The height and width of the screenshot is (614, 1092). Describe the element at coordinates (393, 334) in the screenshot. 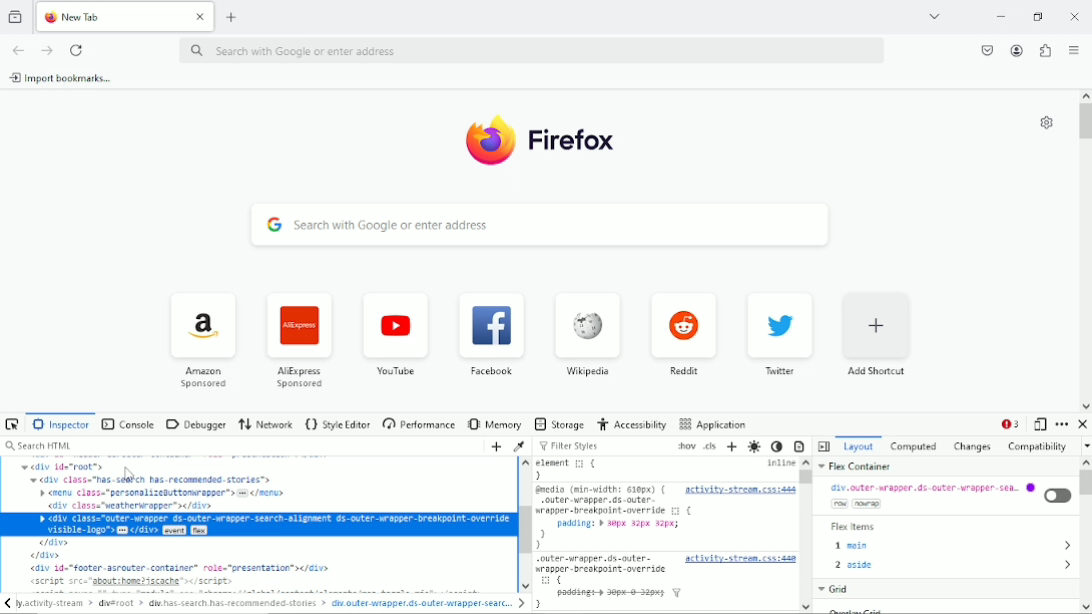

I see `Youtube` at that location.